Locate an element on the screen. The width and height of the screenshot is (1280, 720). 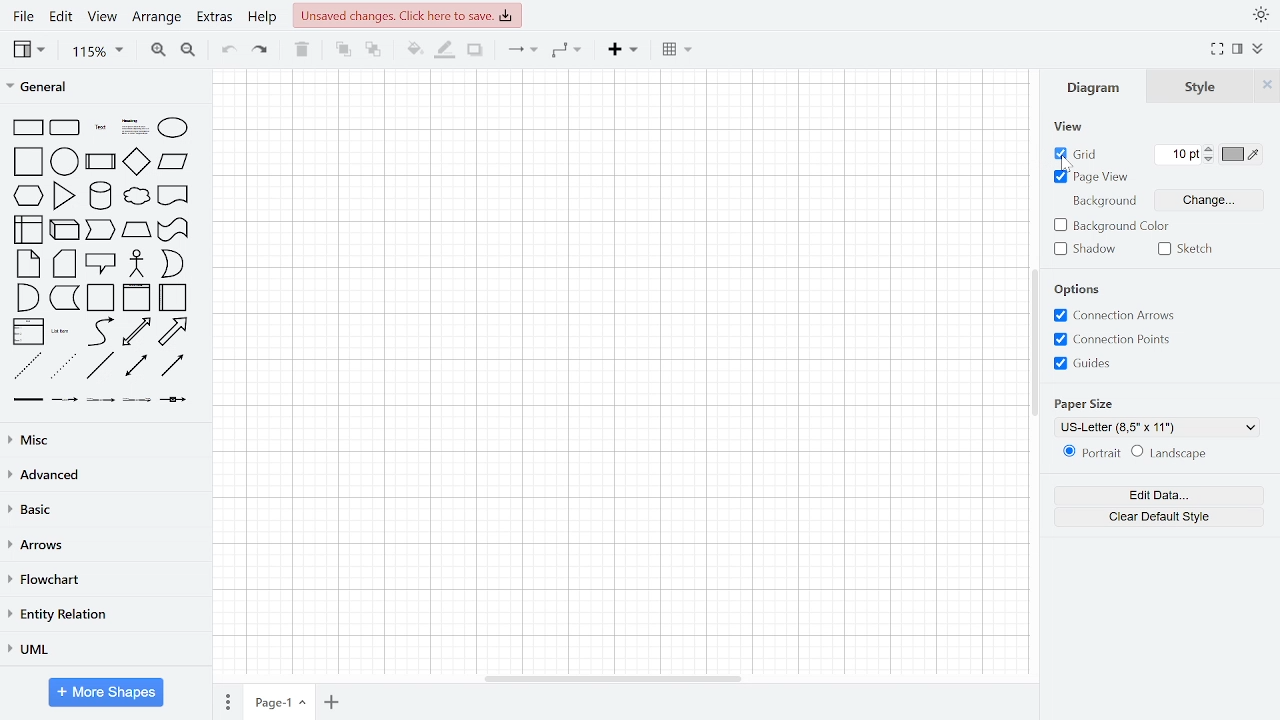
dashed line is located at coordinates (28, 364).